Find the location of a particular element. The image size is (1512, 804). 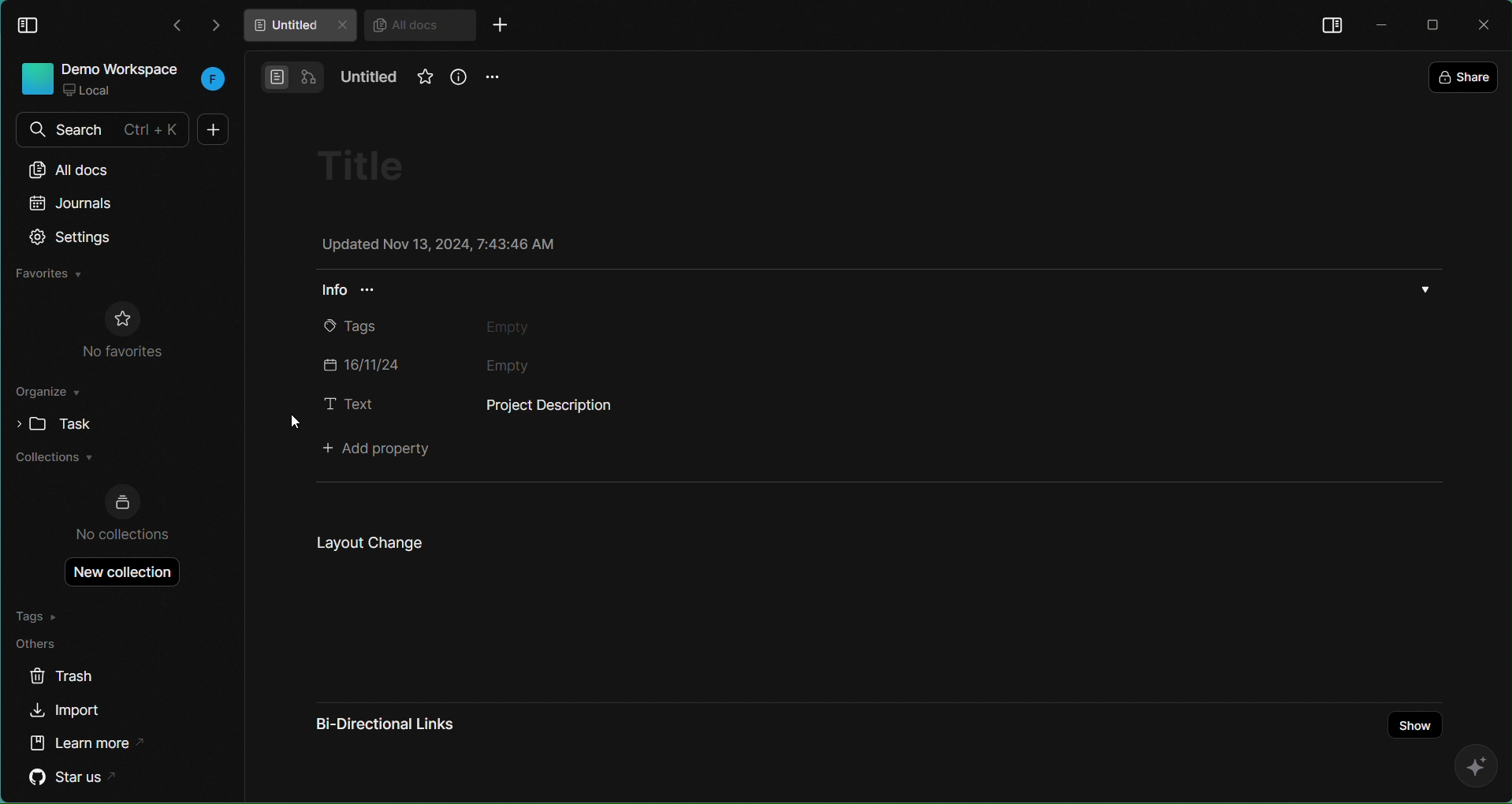

journals is located at coordinates (73, 203).